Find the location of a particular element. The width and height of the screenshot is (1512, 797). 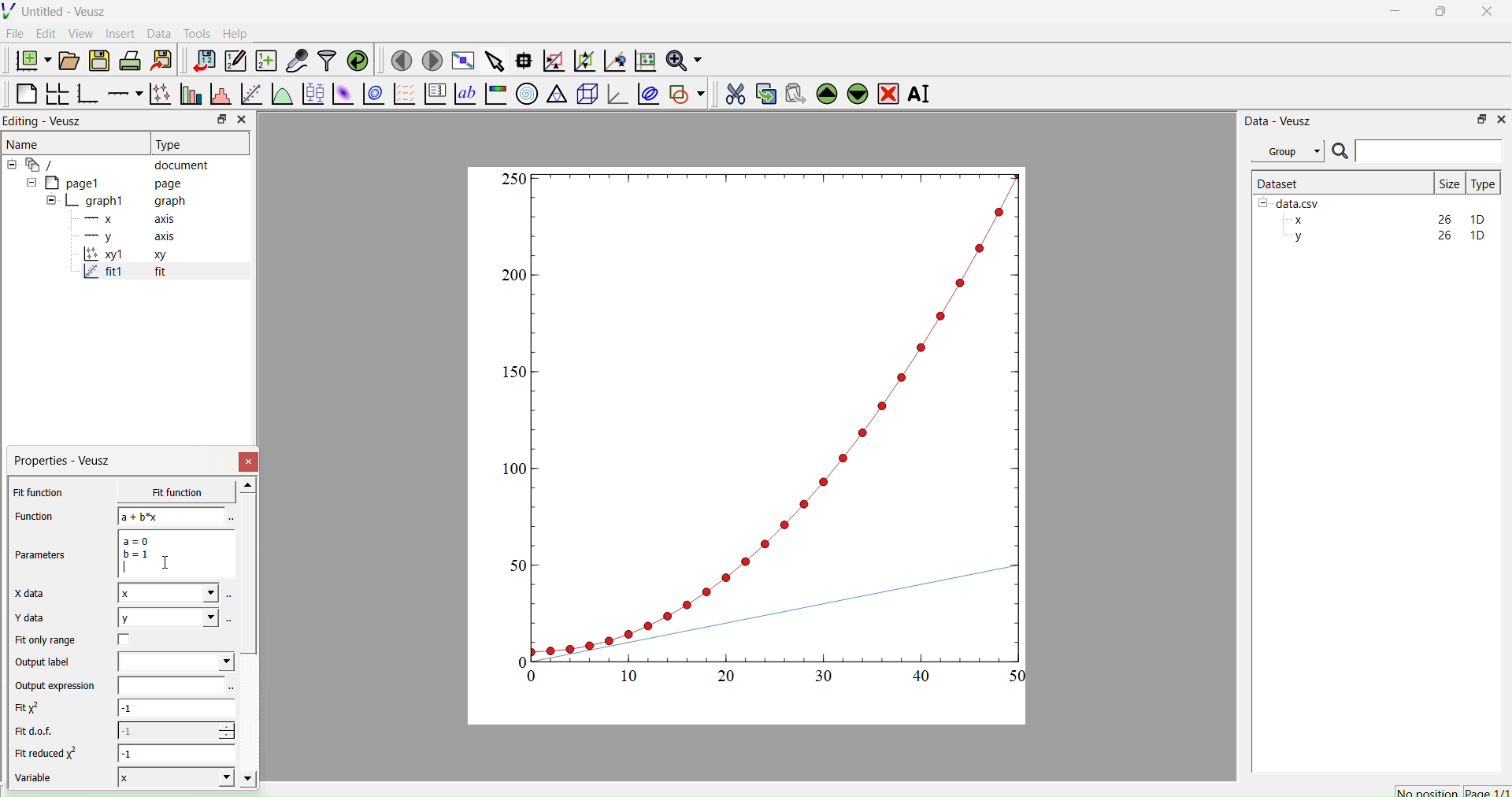

3d Graph is located at coordinates (614, 93).